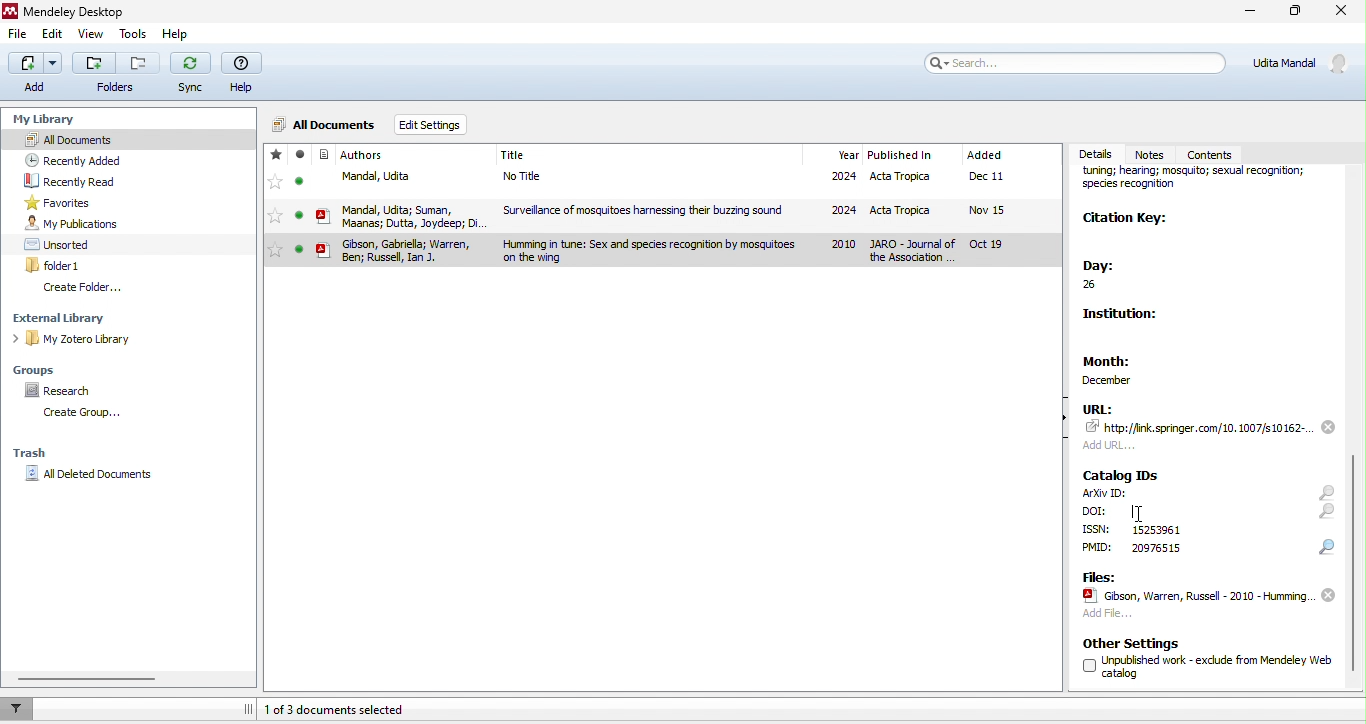 This screenshot has width=1366, height=724. What do you see at coordinates (18, 37) in the screenshot?
I see `file` at bounding box center [18, 37].